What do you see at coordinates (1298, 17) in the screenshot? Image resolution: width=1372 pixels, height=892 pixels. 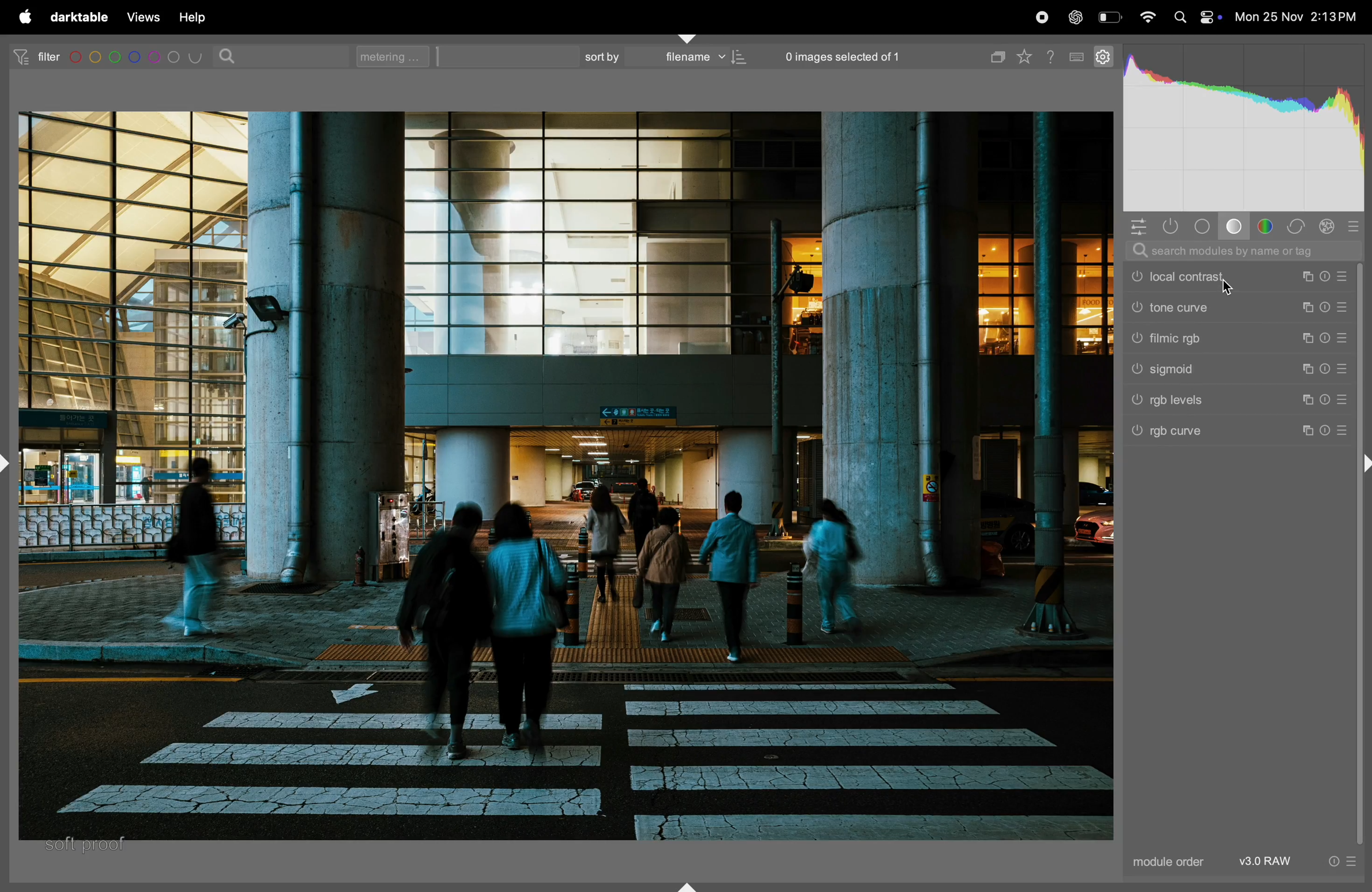 I see `date and time` at bounding box center [1298, 17].